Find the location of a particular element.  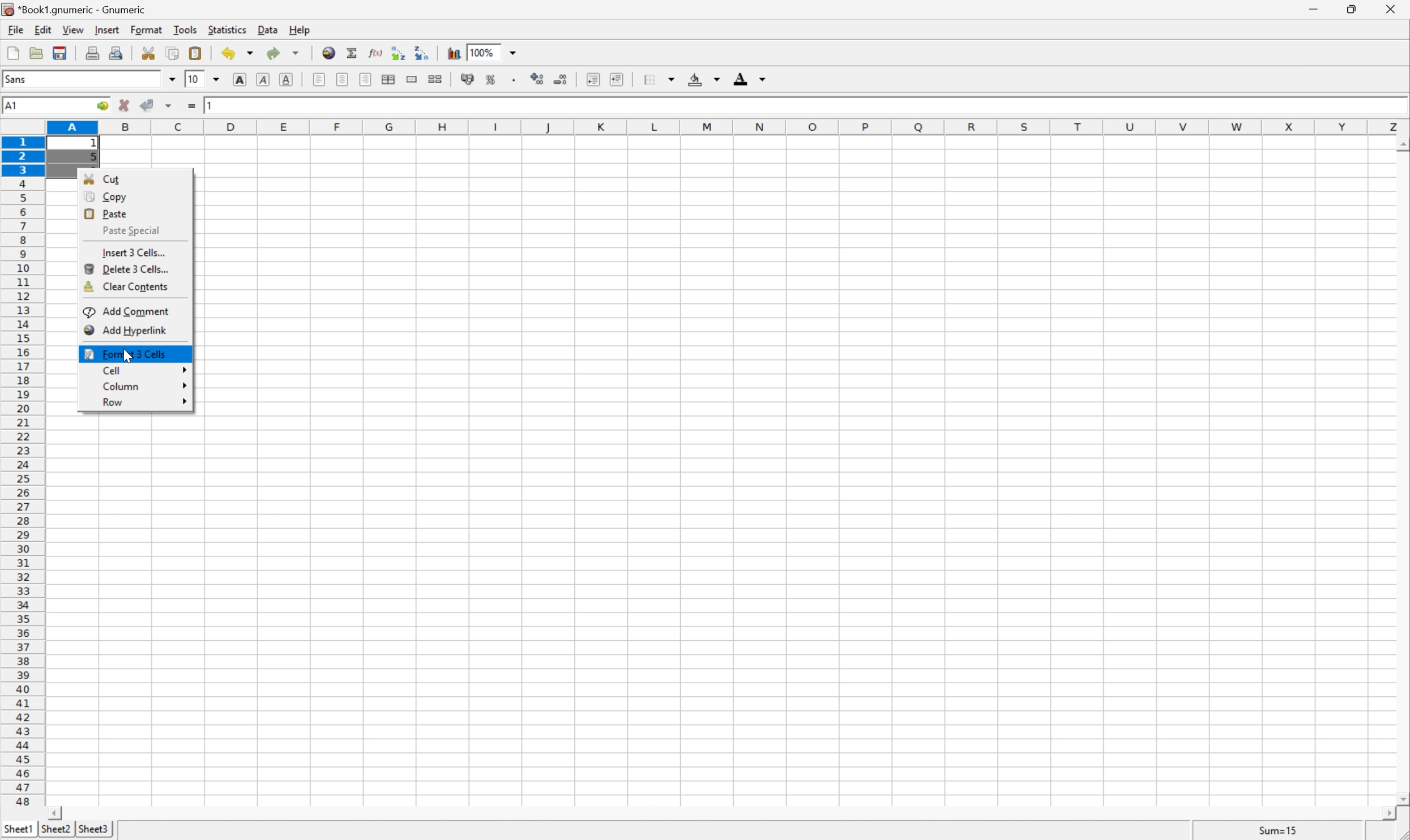

Sort the selected region in descending order based on the first column selected is located at coordinates (422, 52).